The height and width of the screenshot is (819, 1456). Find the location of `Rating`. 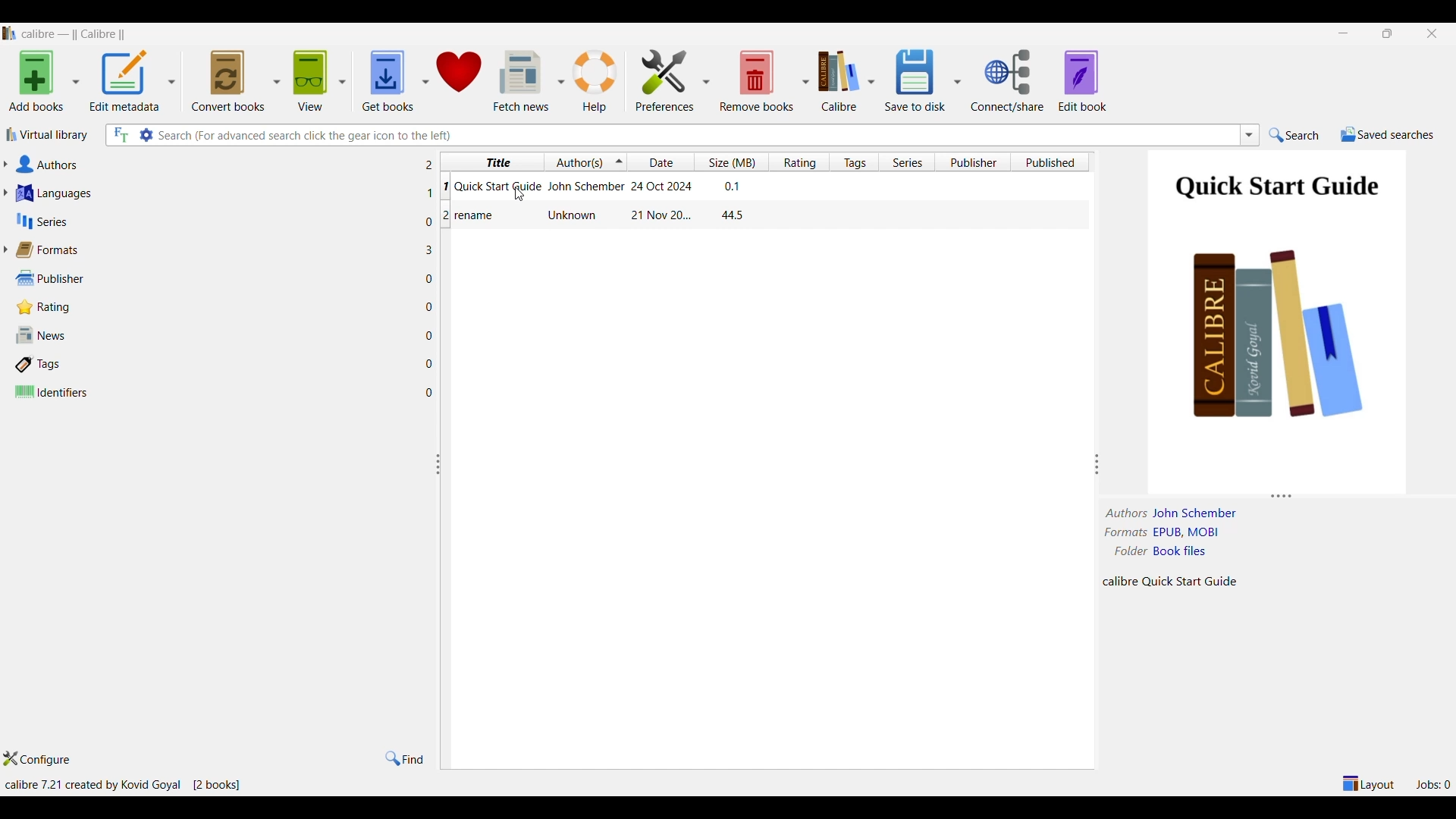

Rating is located at coordinates (215, 307).